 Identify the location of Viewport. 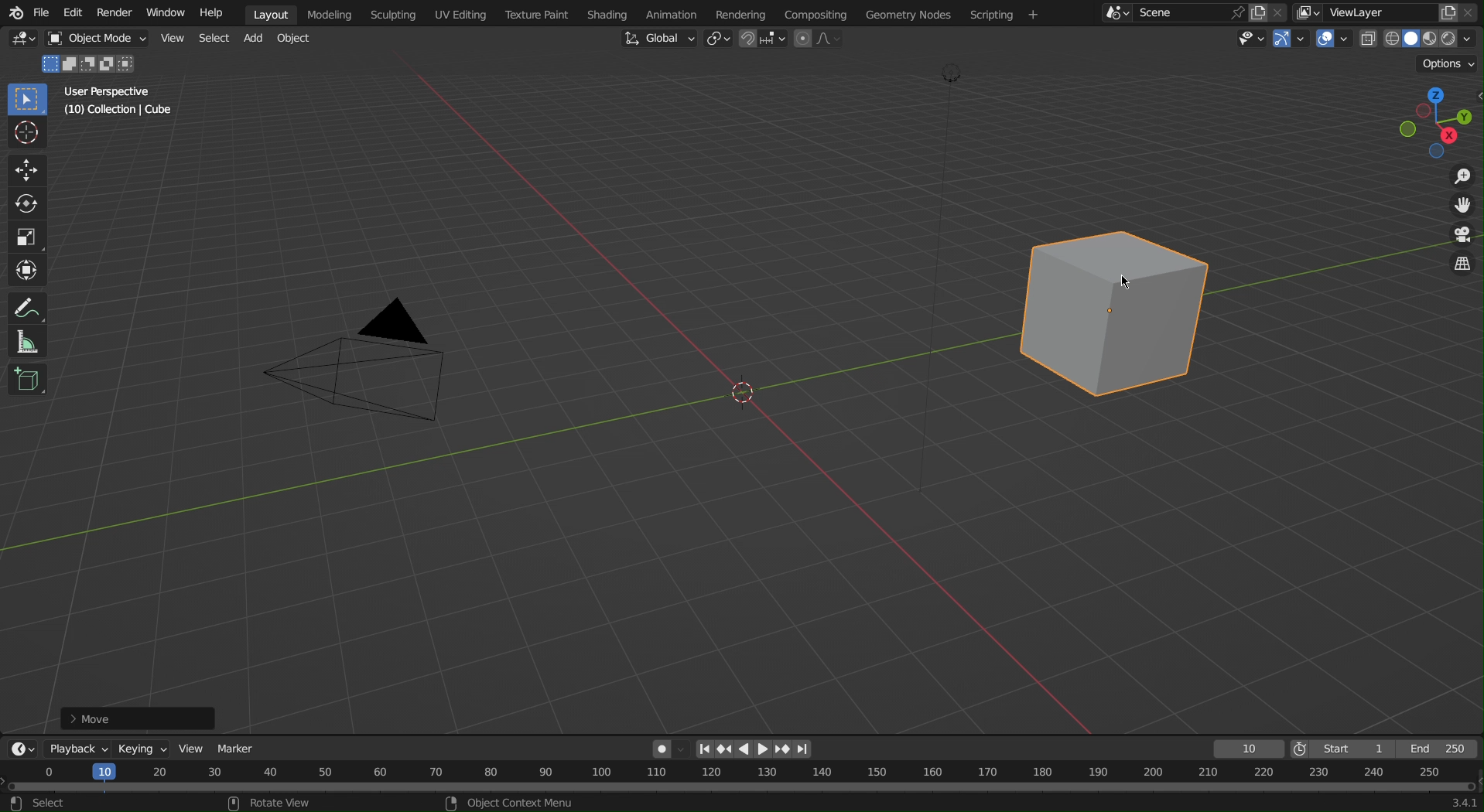
(1431, 118).